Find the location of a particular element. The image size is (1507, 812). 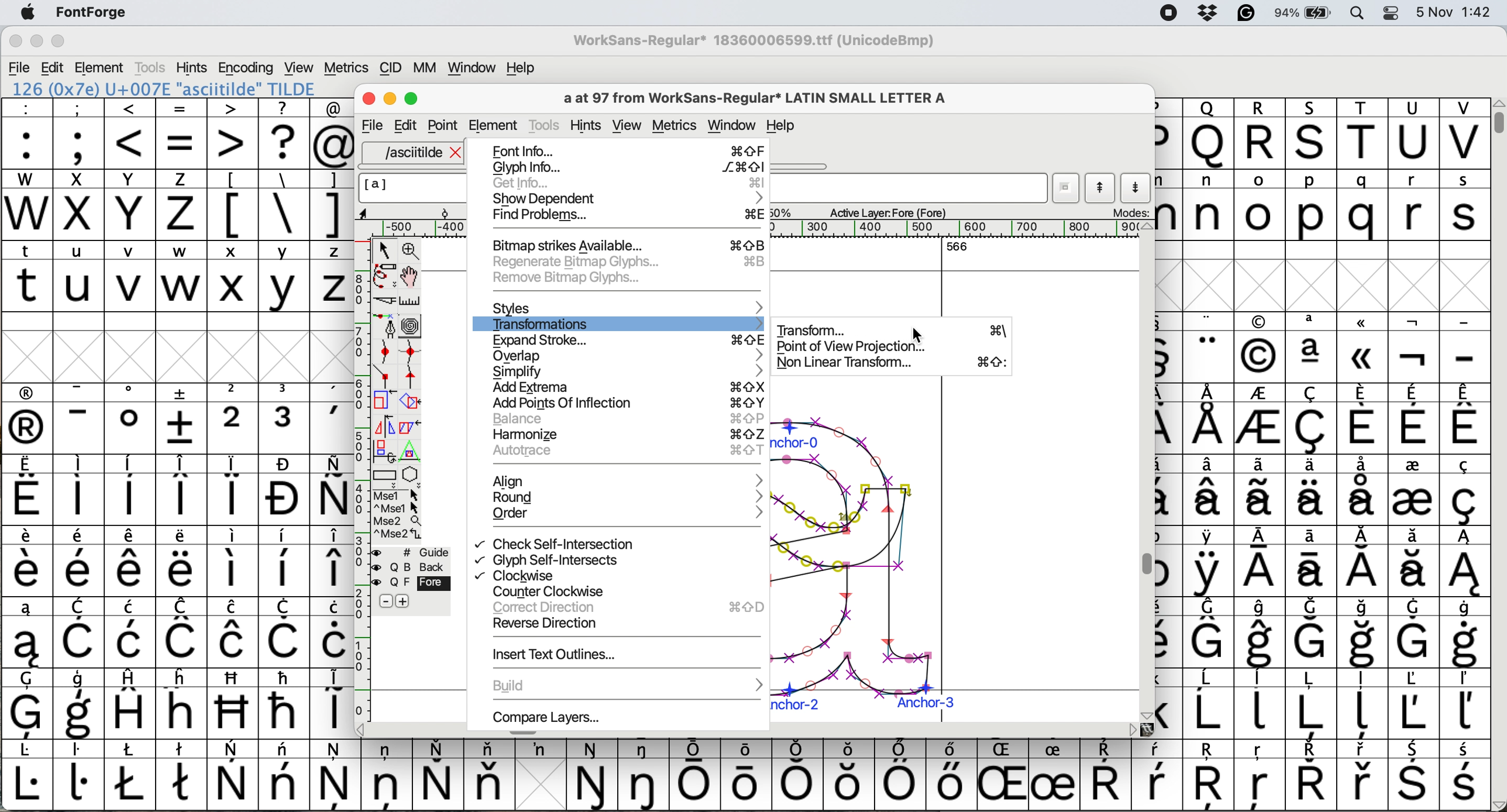

v is located at coordinates (130, 278).